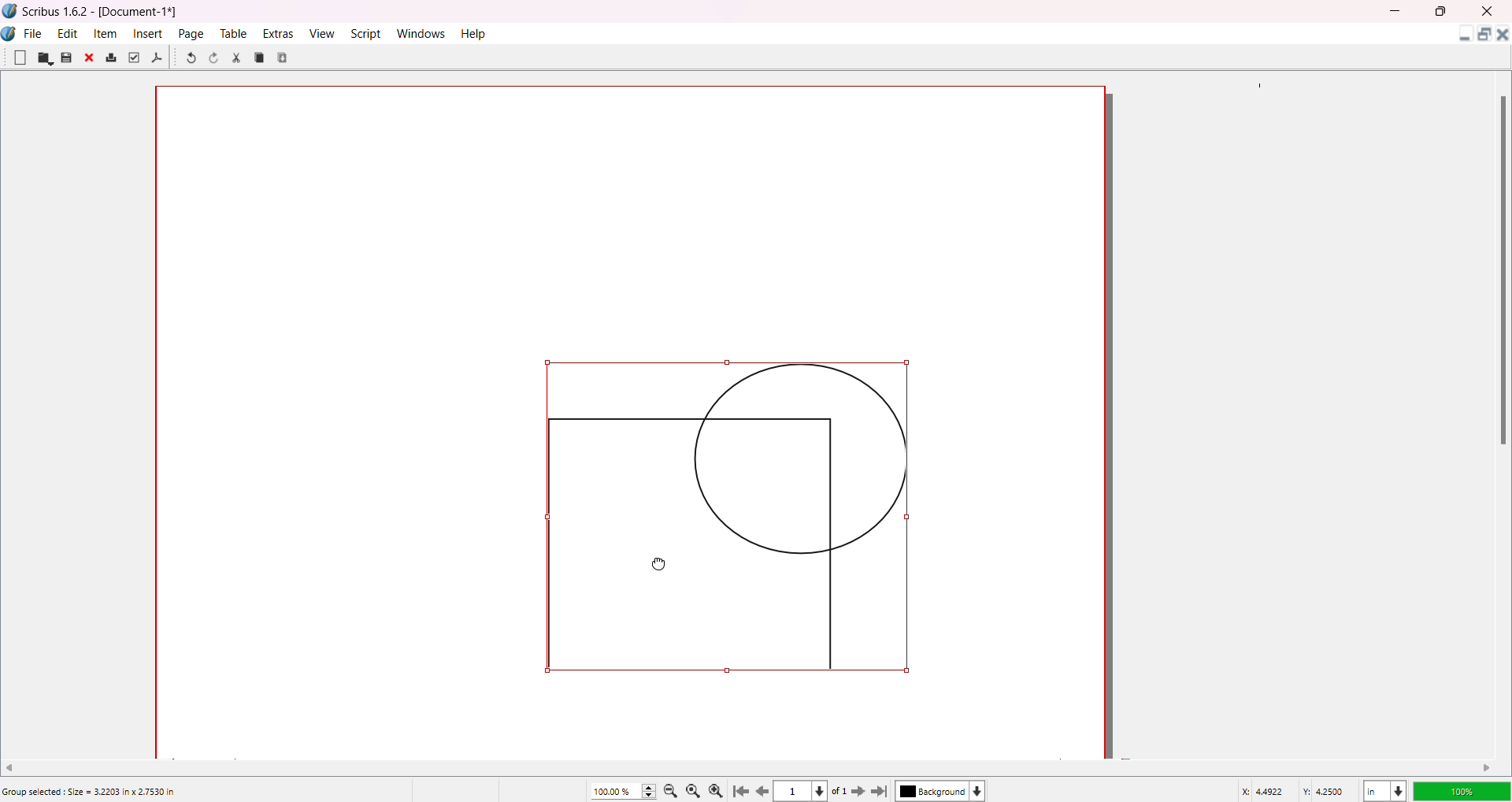  What do you see at coordinates (217, 60) in the screenshot?
I see `Redo` at bounding box center [217, 60].